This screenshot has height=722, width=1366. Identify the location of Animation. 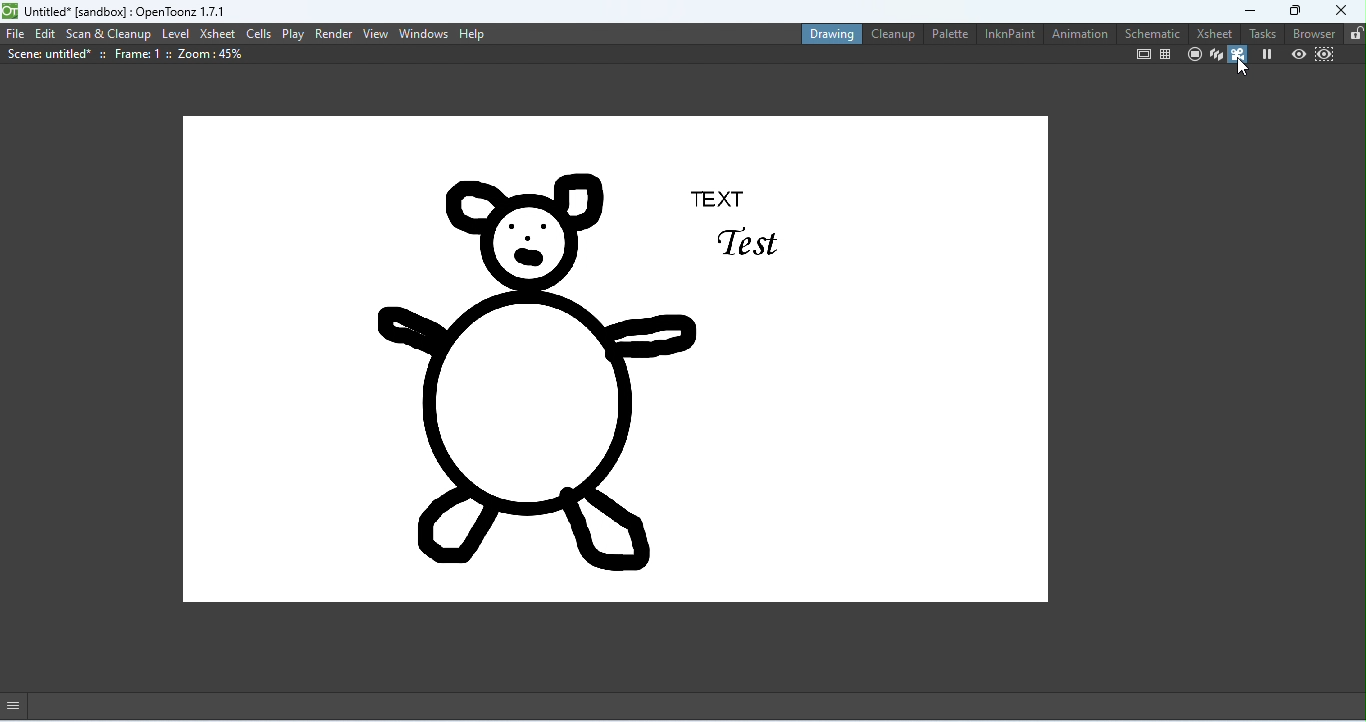
(1078, 36).